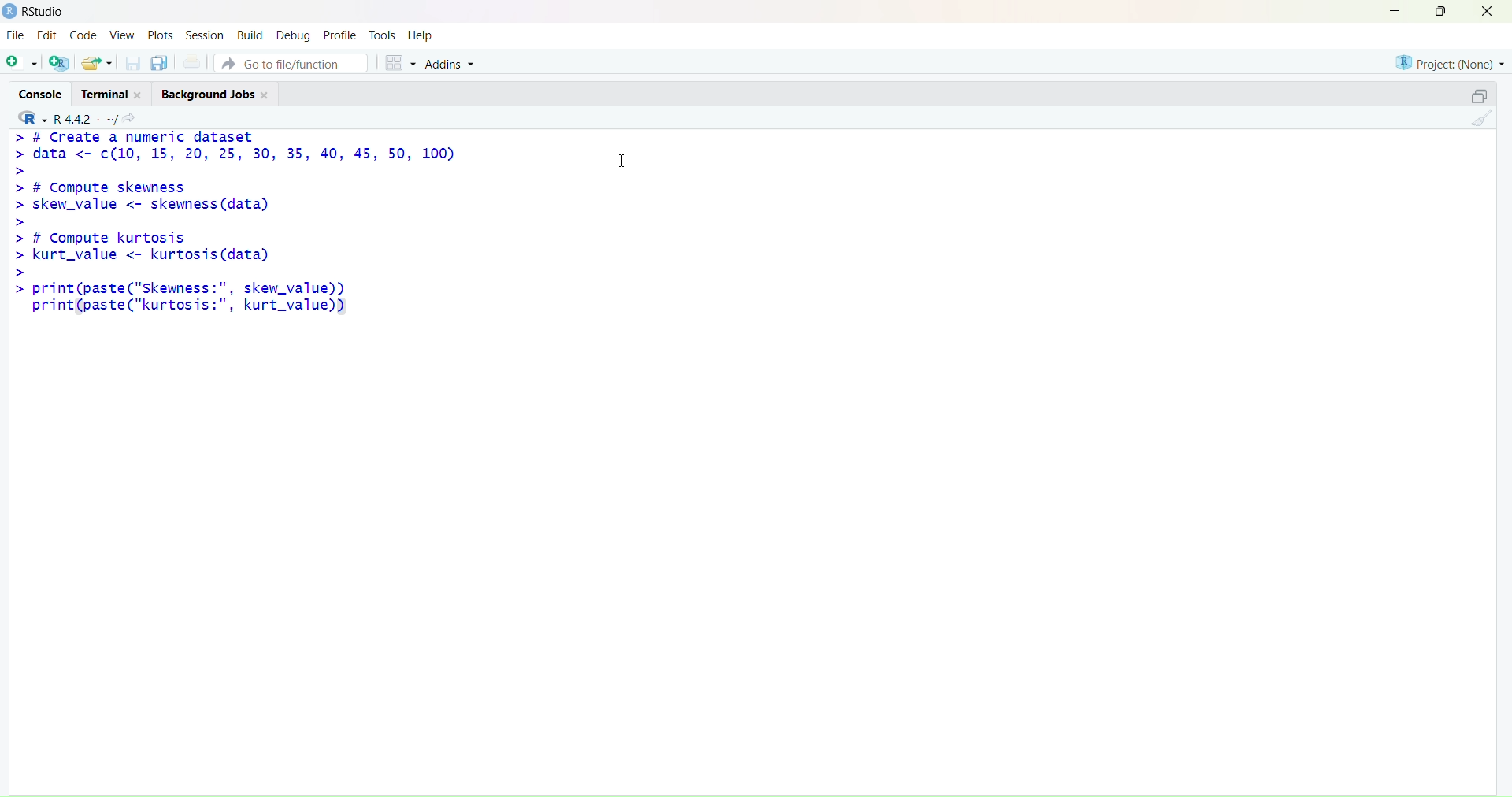 This screenshot has width=1512, height=797. What do you see at coordinates (398, 61) in the screenshot?
I see `Workspace panes` at bounding box center [398, 61].